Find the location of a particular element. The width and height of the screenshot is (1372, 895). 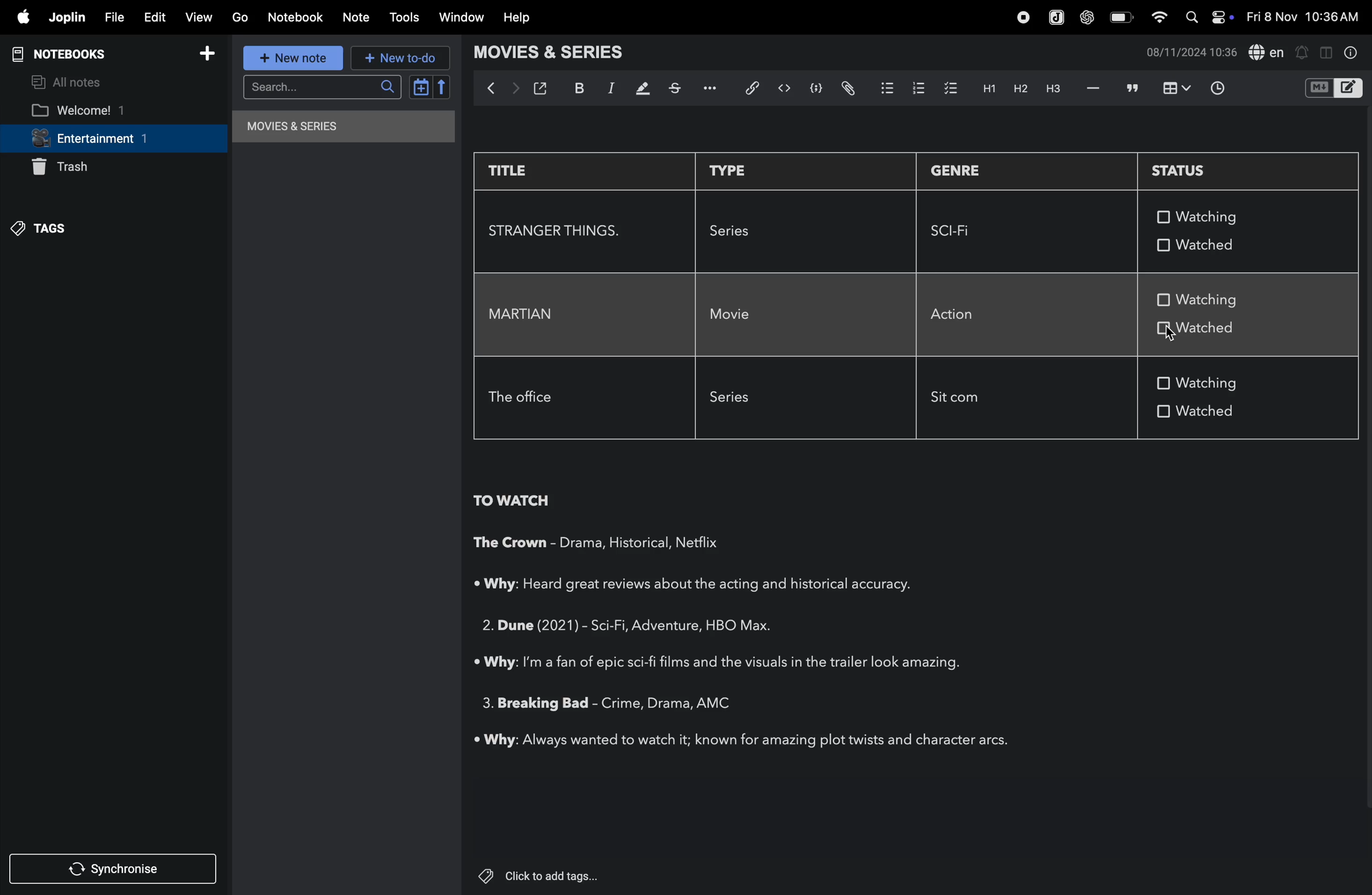

watched is located at coordinates (1222, 330).